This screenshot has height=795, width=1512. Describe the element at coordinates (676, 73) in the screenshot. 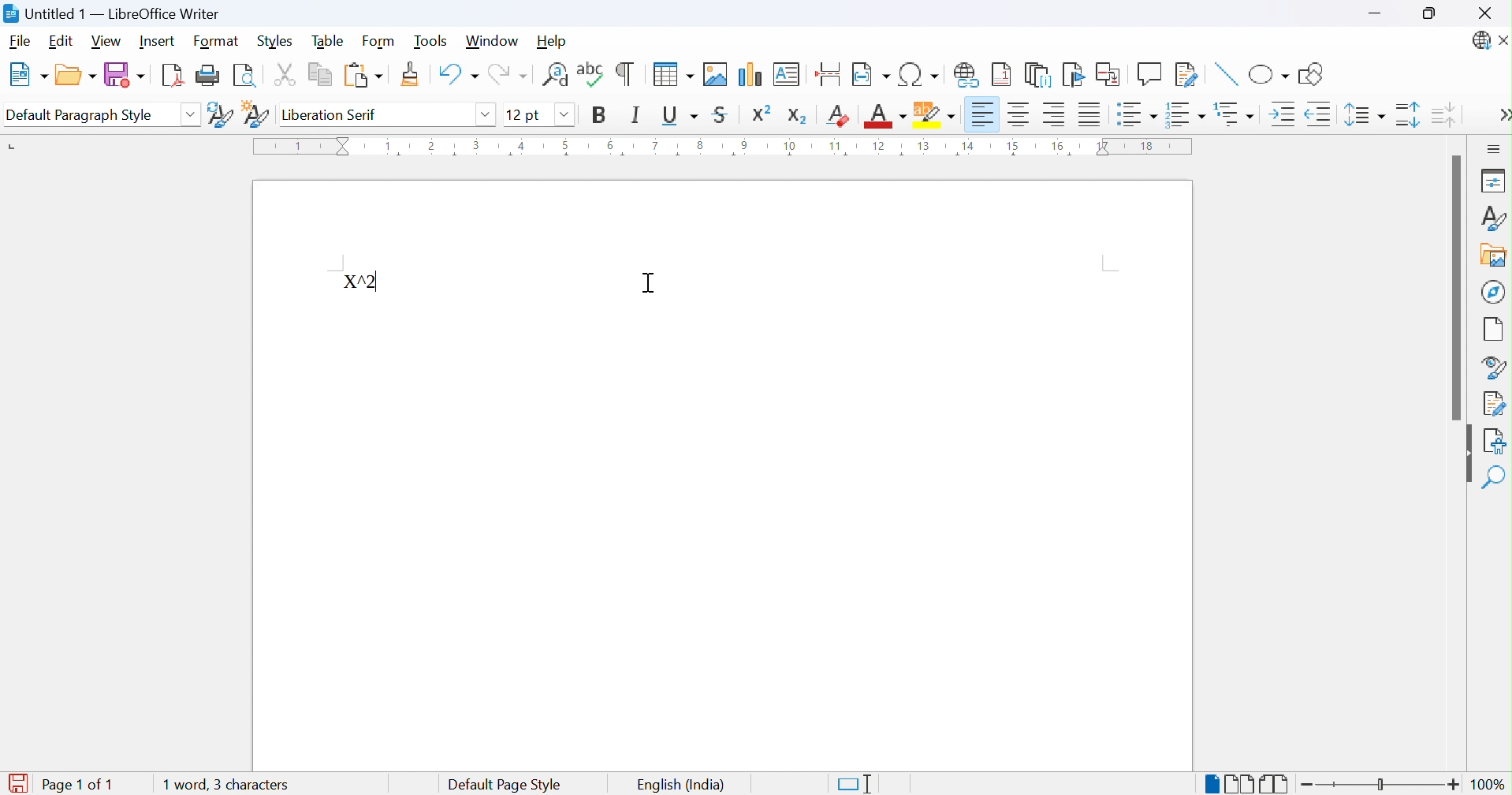

I see `Insert table` at that location.